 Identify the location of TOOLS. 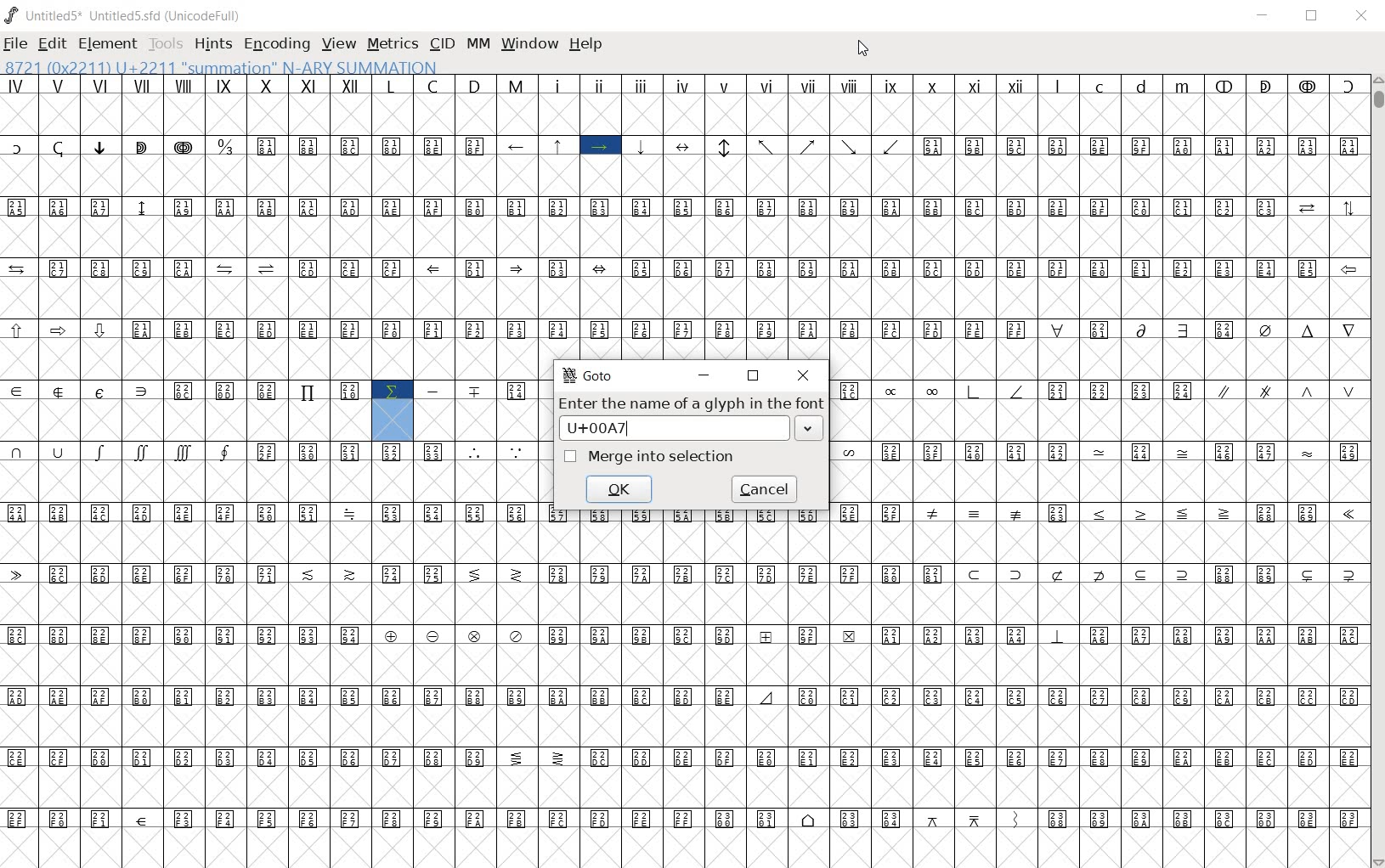
(166, 44).